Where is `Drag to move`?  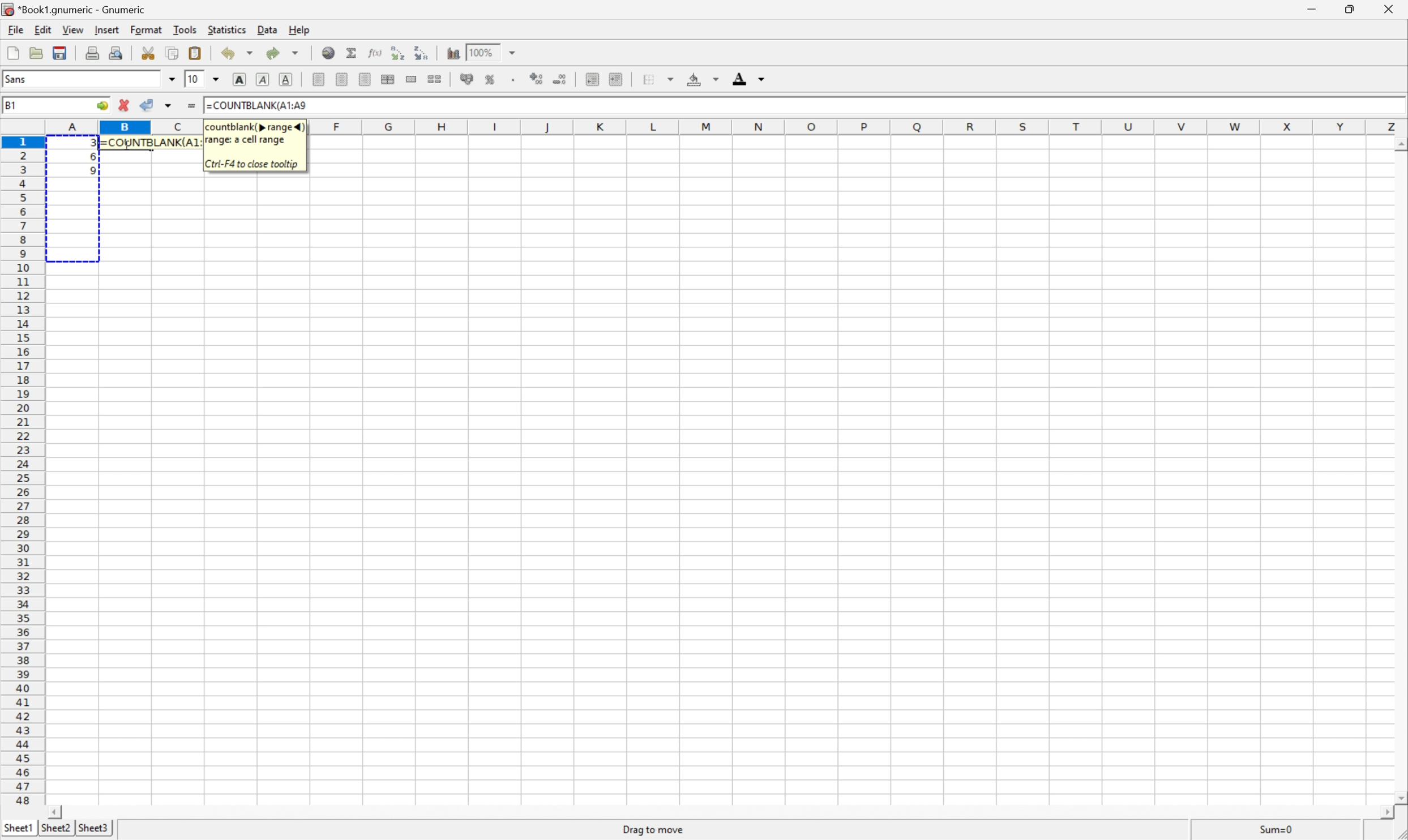
Drag to move is located at coordinates (654, 829).